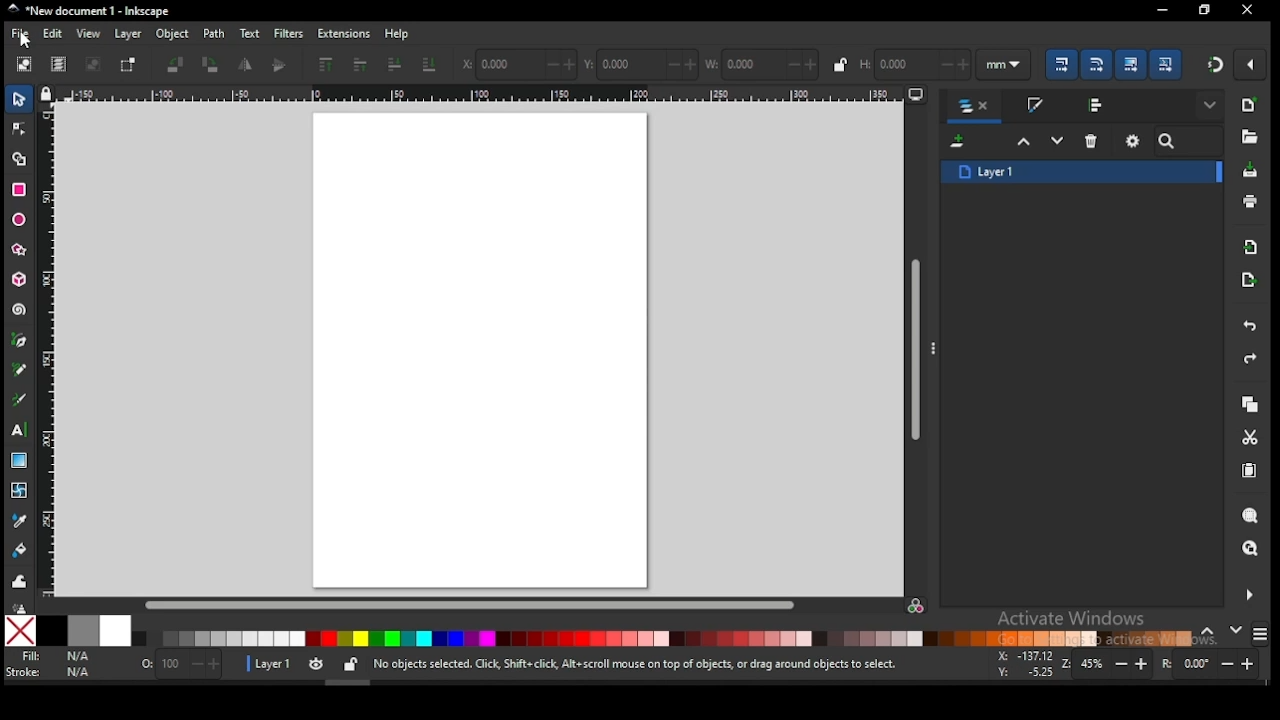 Image resolution: width=1280 pixels, height=720 pixels. Describe the element at coordinates (1082, 171) in the screenshot. I see `layer 1` at that location.